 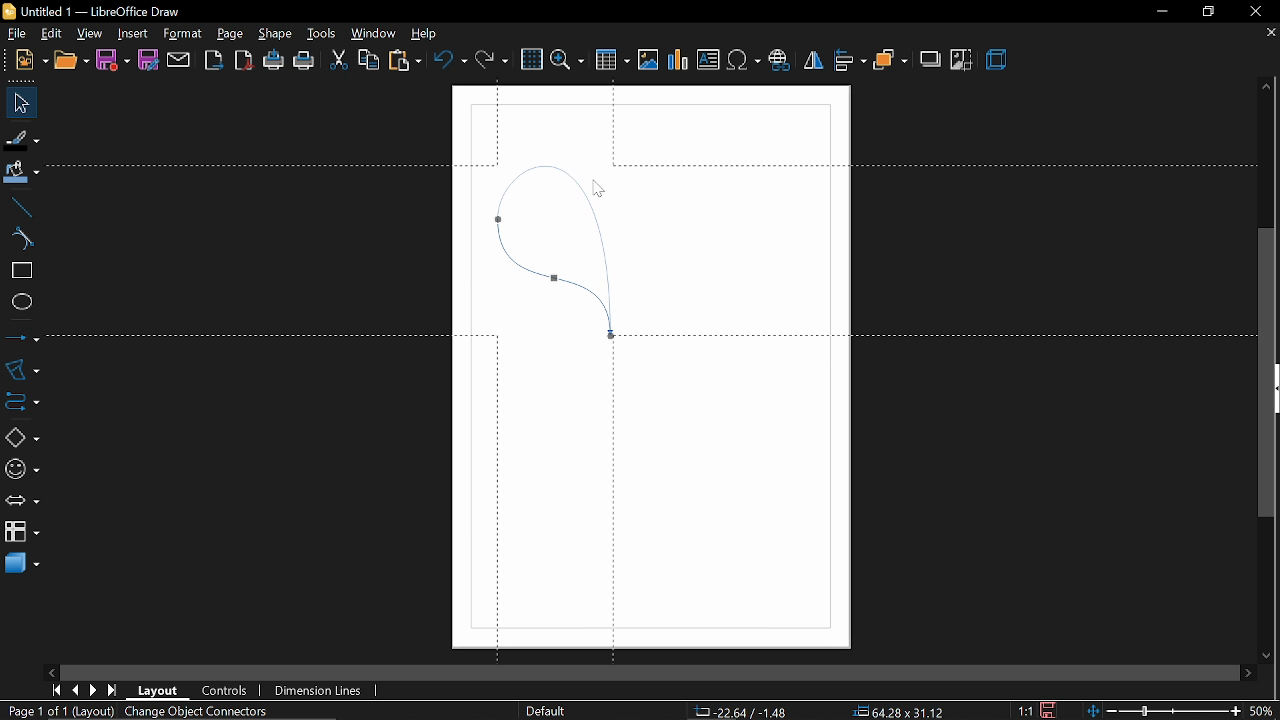 I want to click on move left, so click(x=51, y=671).